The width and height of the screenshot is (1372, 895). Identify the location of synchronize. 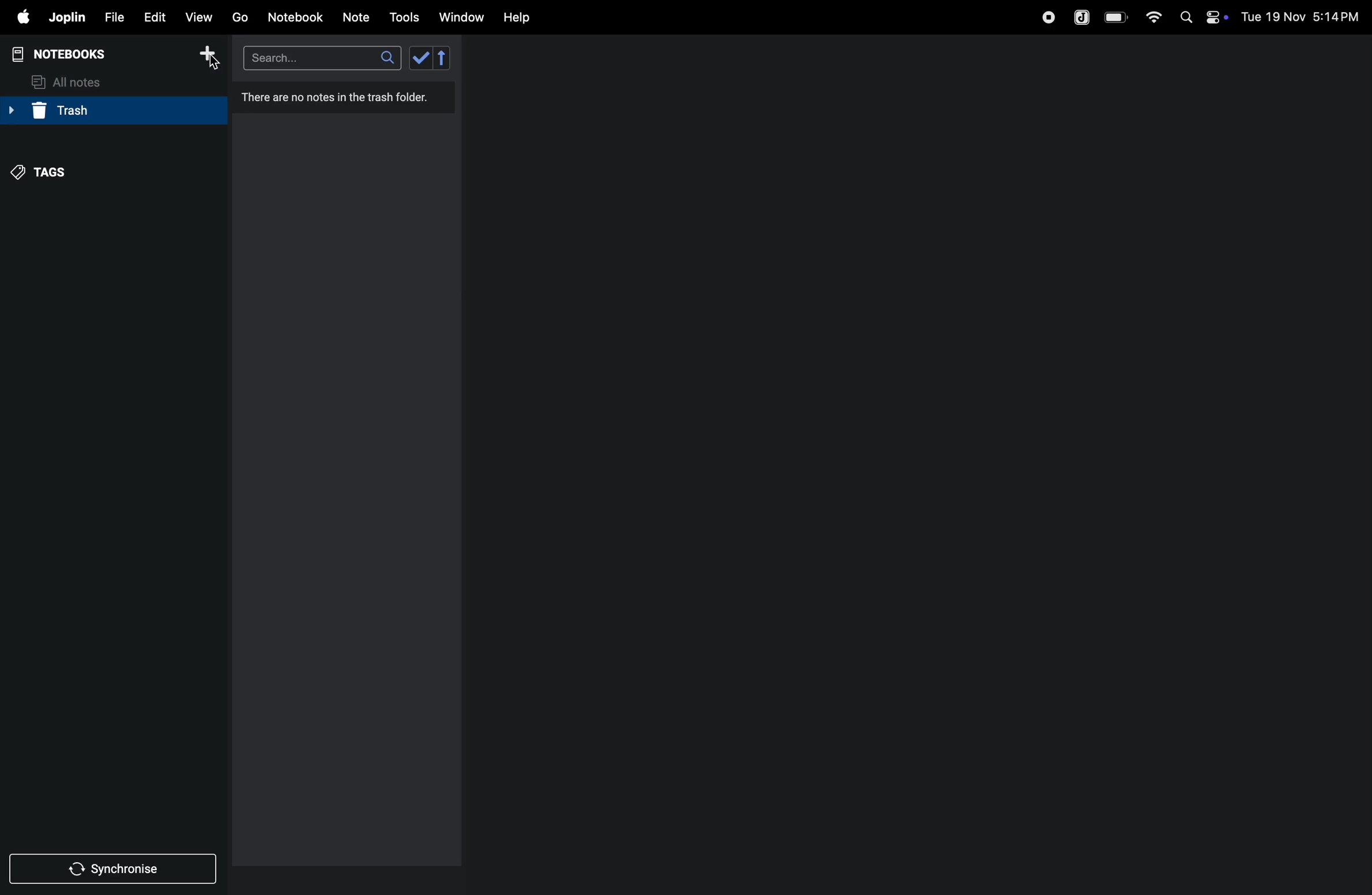
(114, 867).